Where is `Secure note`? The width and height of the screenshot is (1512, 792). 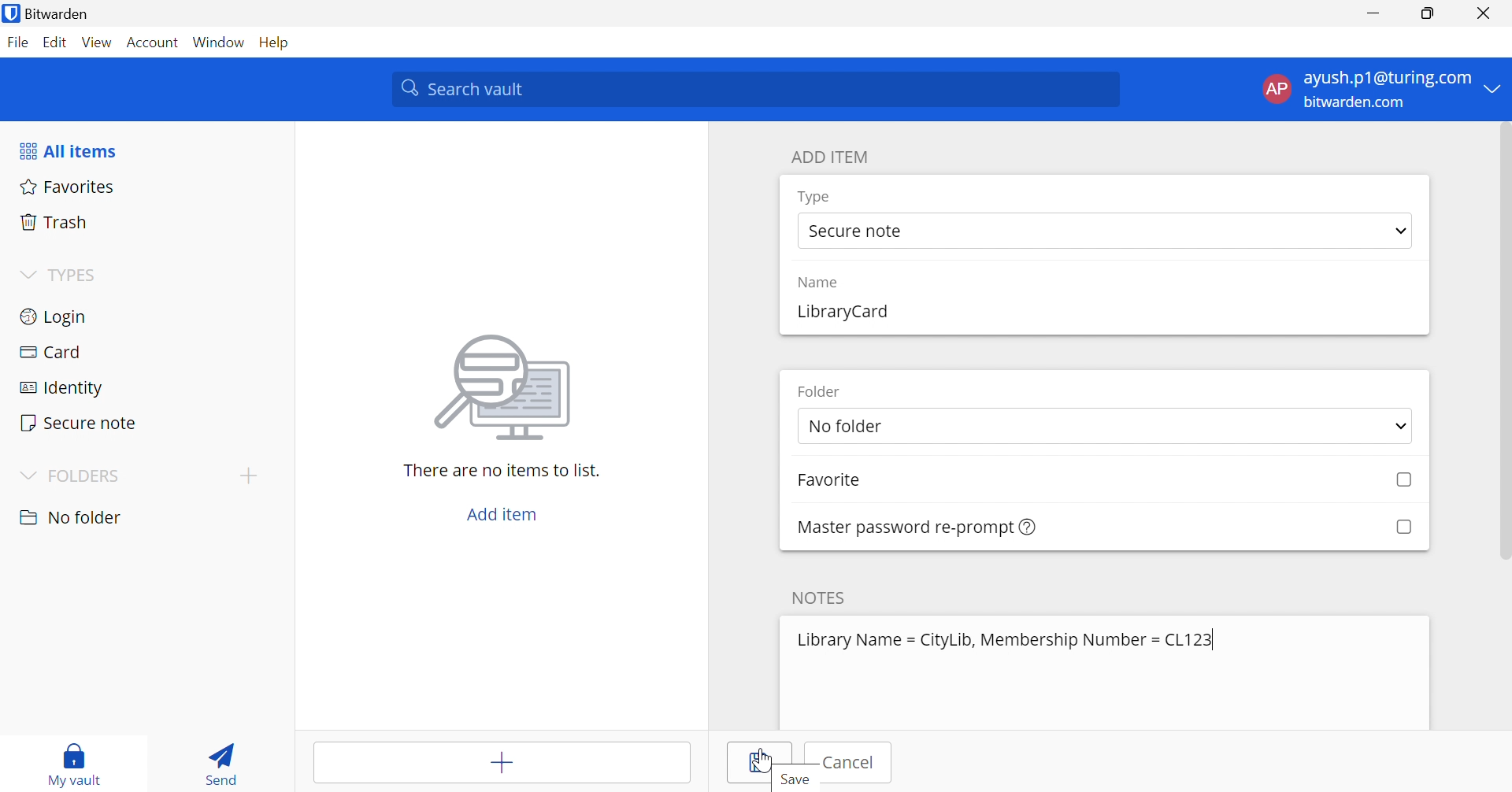
Secure note is located at coordinates (143, 420).